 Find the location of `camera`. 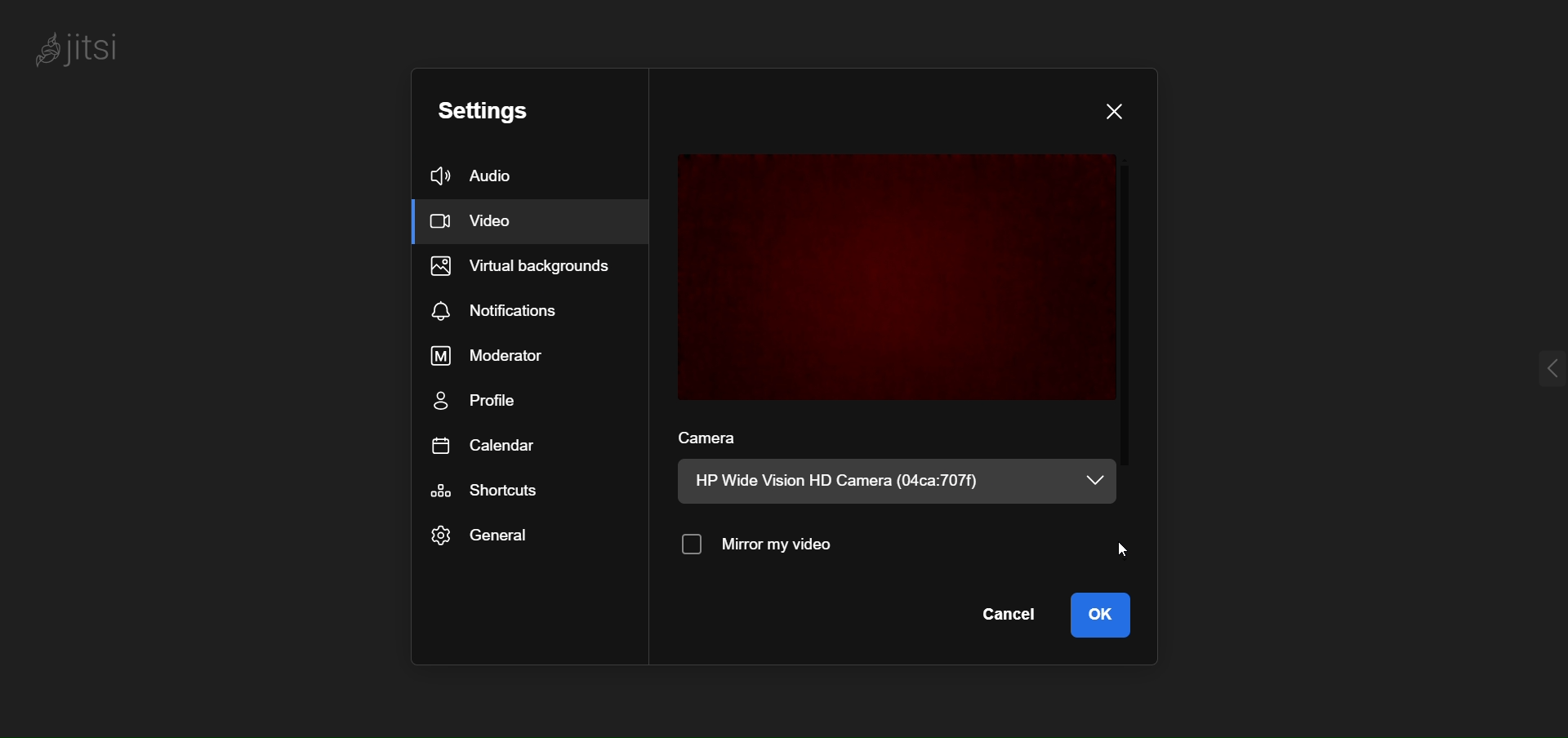

camera is located at coordinates (710, 438).